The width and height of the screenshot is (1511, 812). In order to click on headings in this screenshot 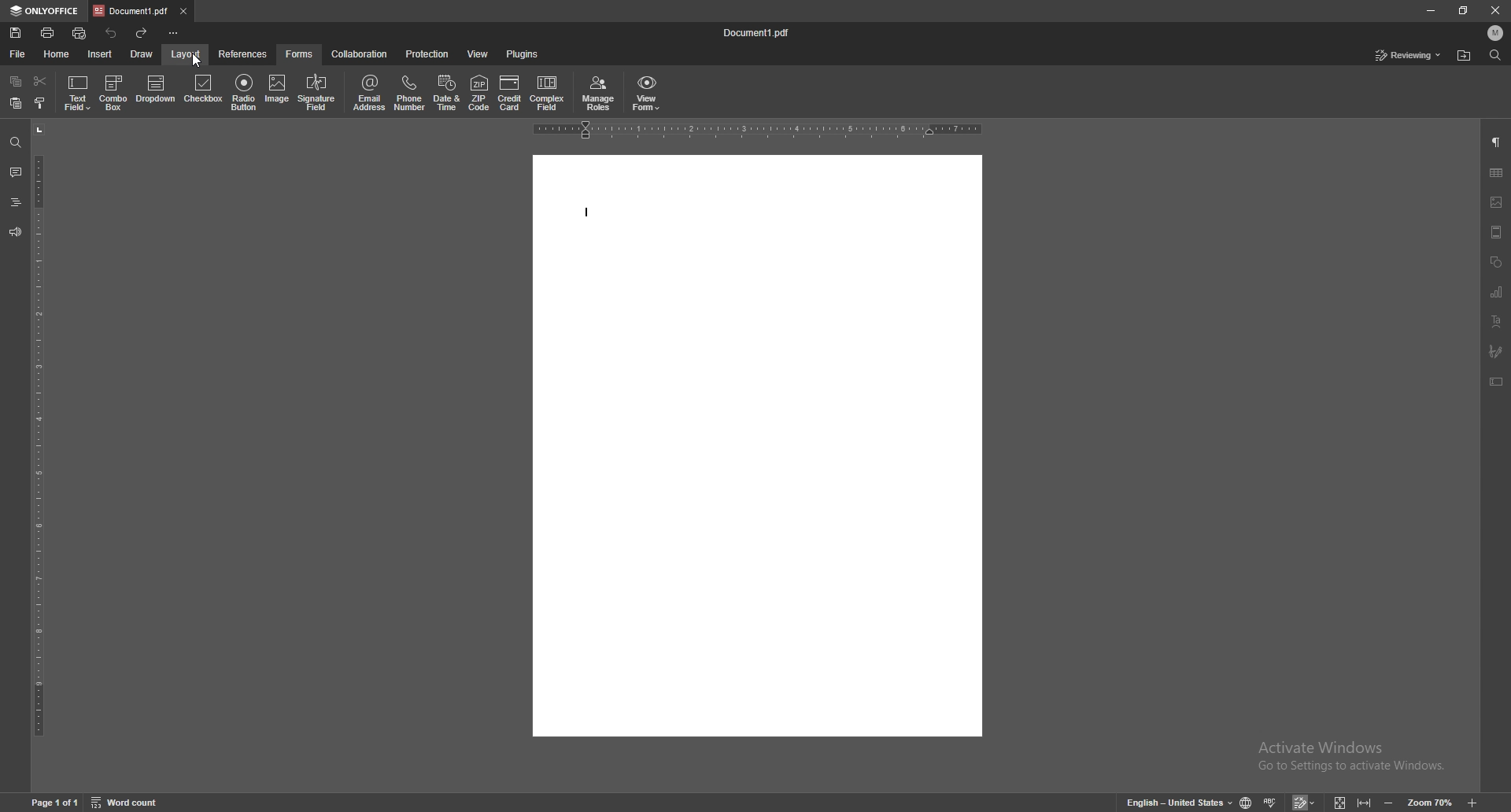, I will do `click(15, 202)`.